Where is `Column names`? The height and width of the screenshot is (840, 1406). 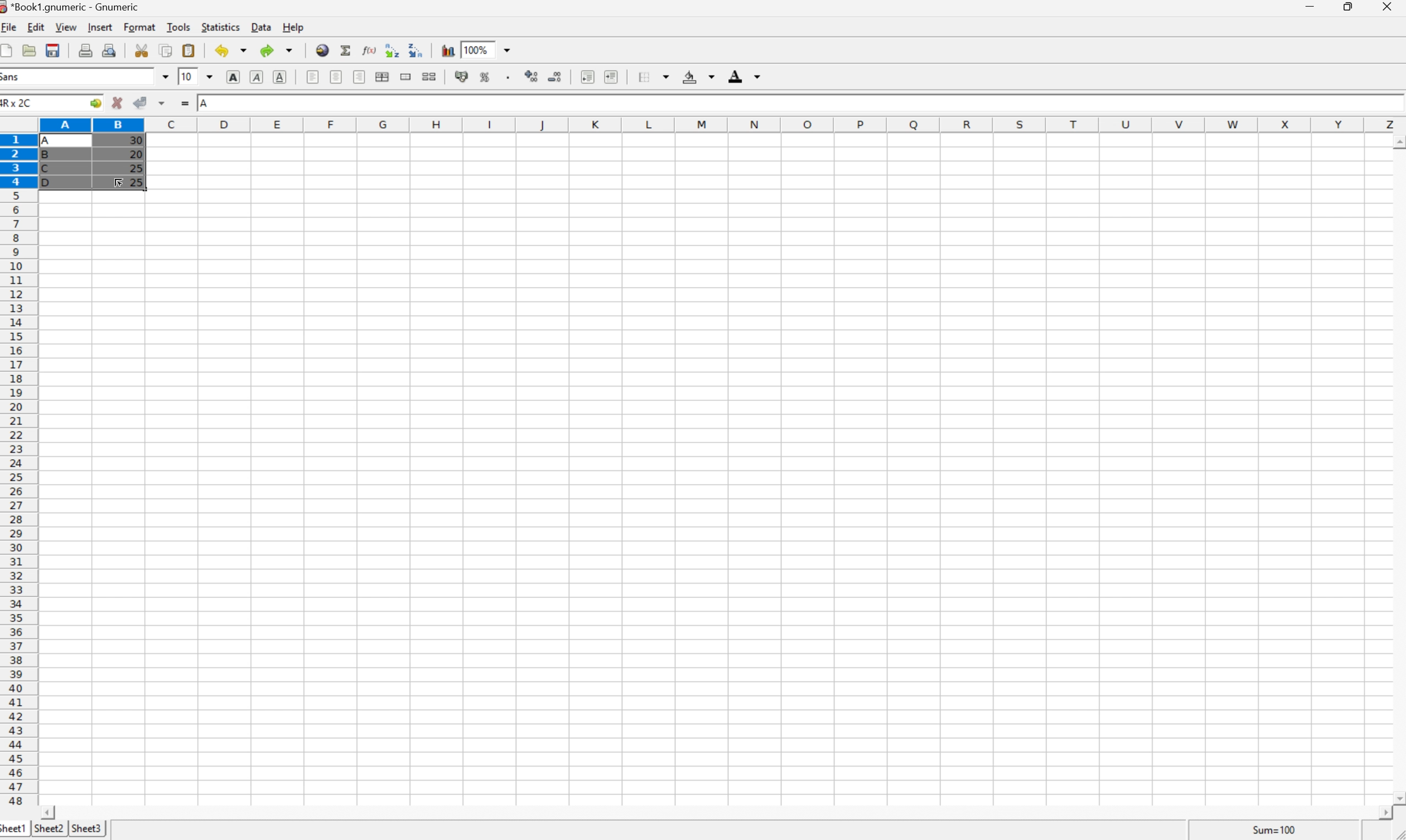
Column names is located at coordinates (721, 123).